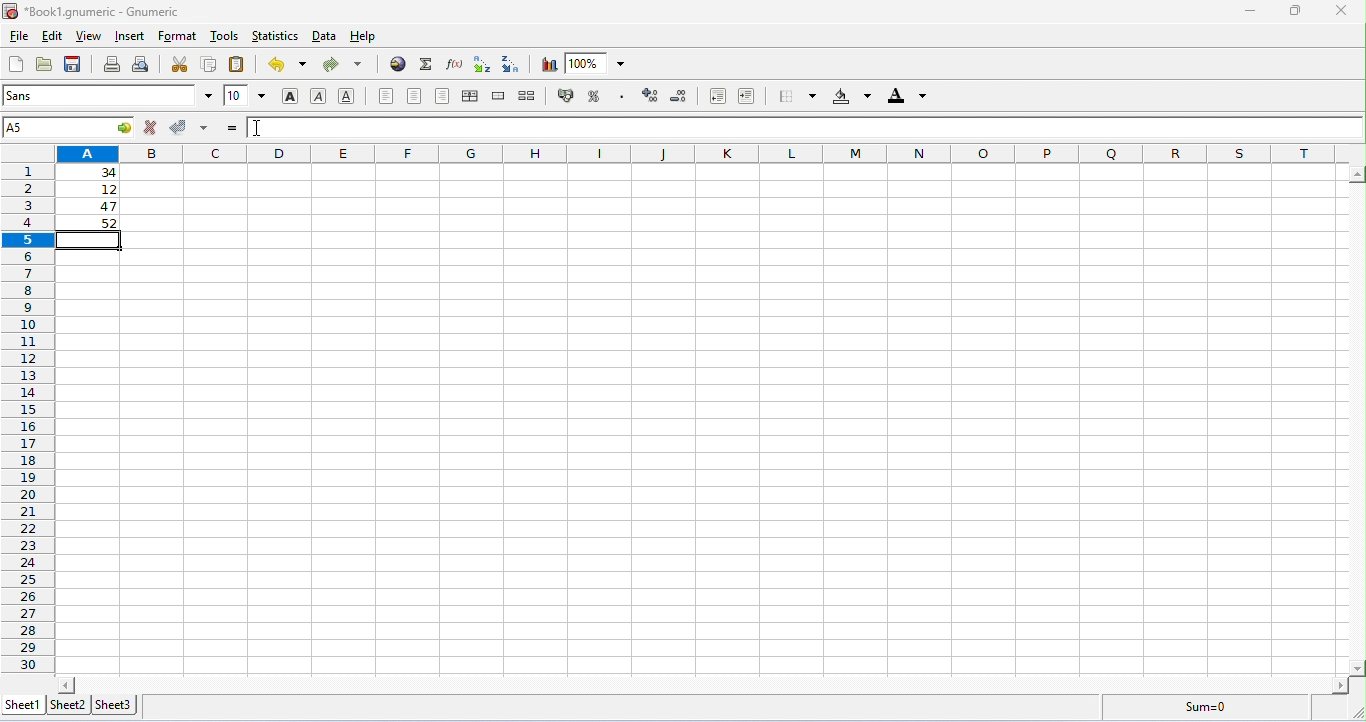 The width and height of the screenshot is (1366, 722). What do you see at coordinates (177, 37) in the screenshot?
I see `format` at bounding box center [177, 37].